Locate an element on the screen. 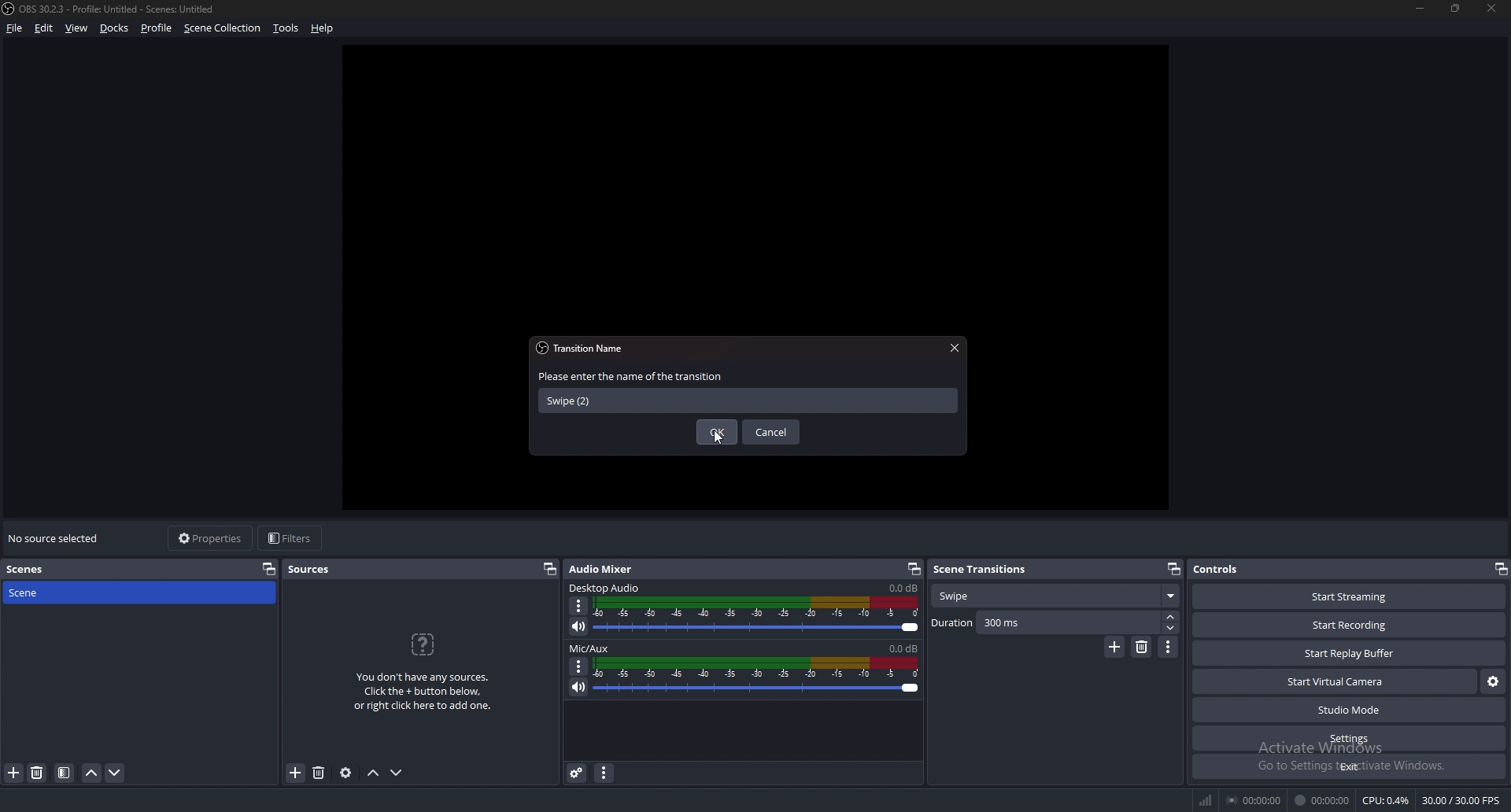 Image resolution: width=1511 pixels, height=812 pixels. desktop audio is located at coordinates (605, 587).